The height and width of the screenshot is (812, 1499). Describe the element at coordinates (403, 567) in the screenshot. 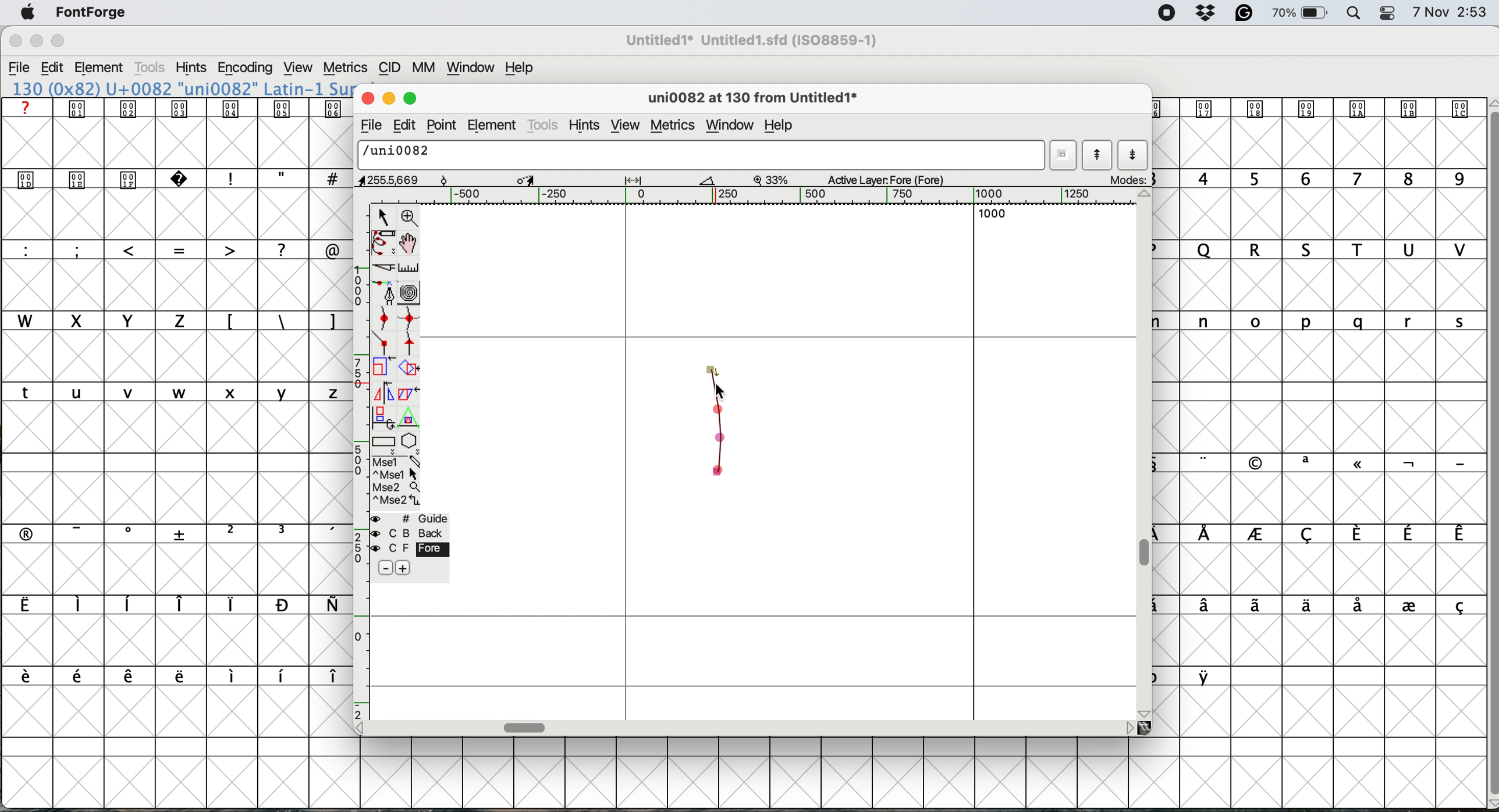

I see `add` at that location.